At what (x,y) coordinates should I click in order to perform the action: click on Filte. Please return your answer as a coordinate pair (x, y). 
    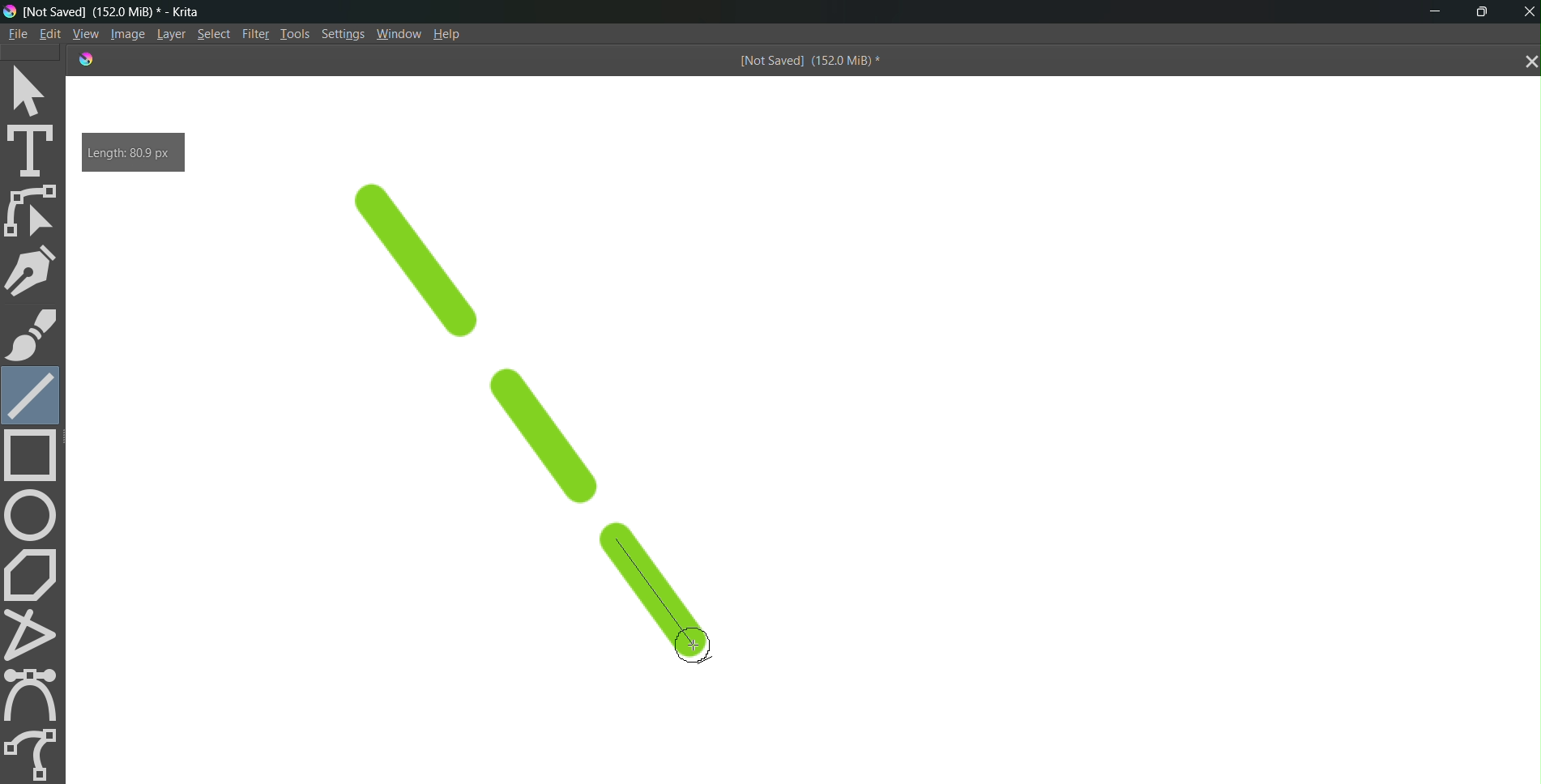
    Looking at the image, I should click on (252, 32).